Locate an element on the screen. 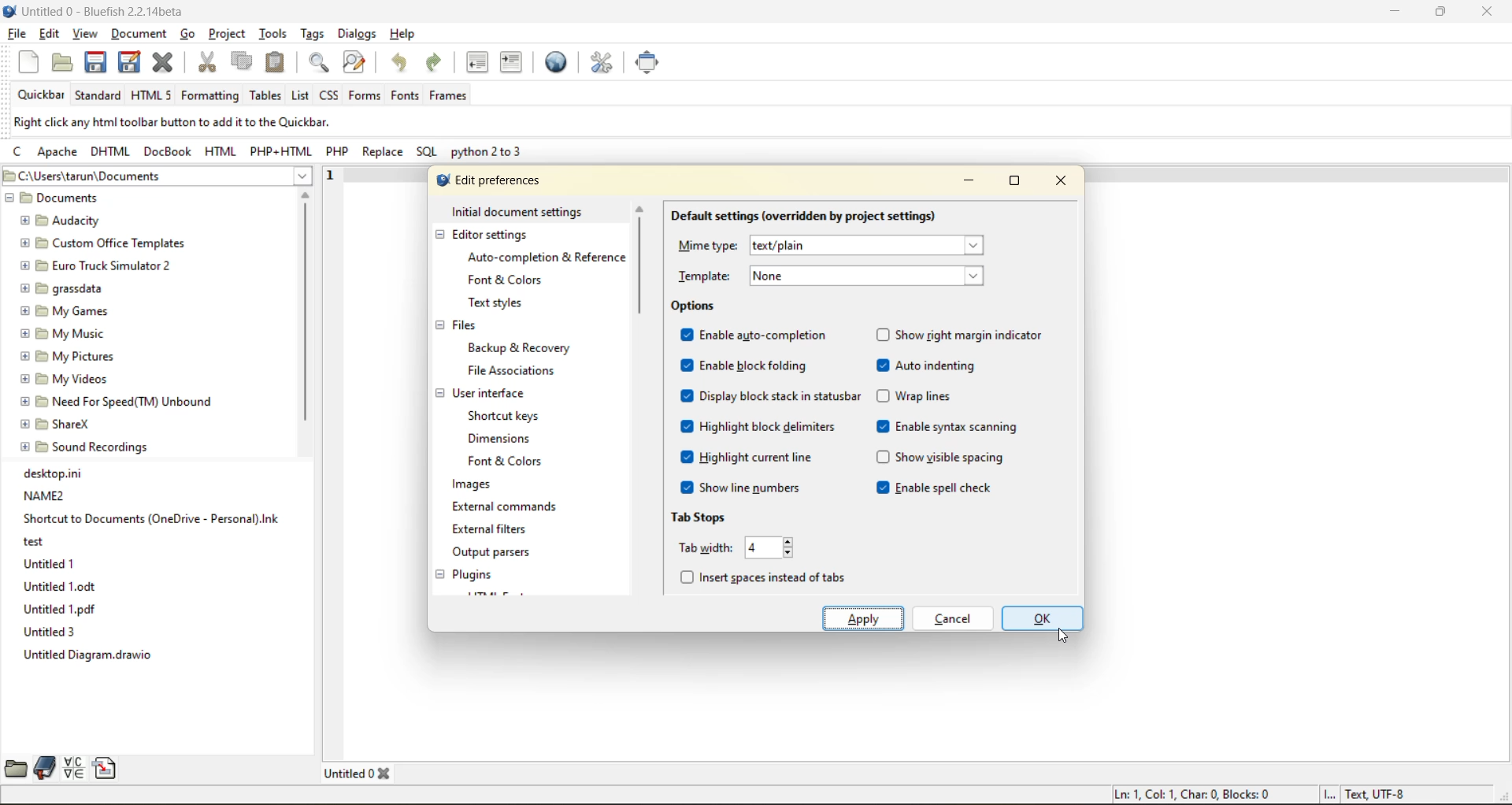 The image size is (1512, 805). BE Audacity is located at coordinates (65, 219).